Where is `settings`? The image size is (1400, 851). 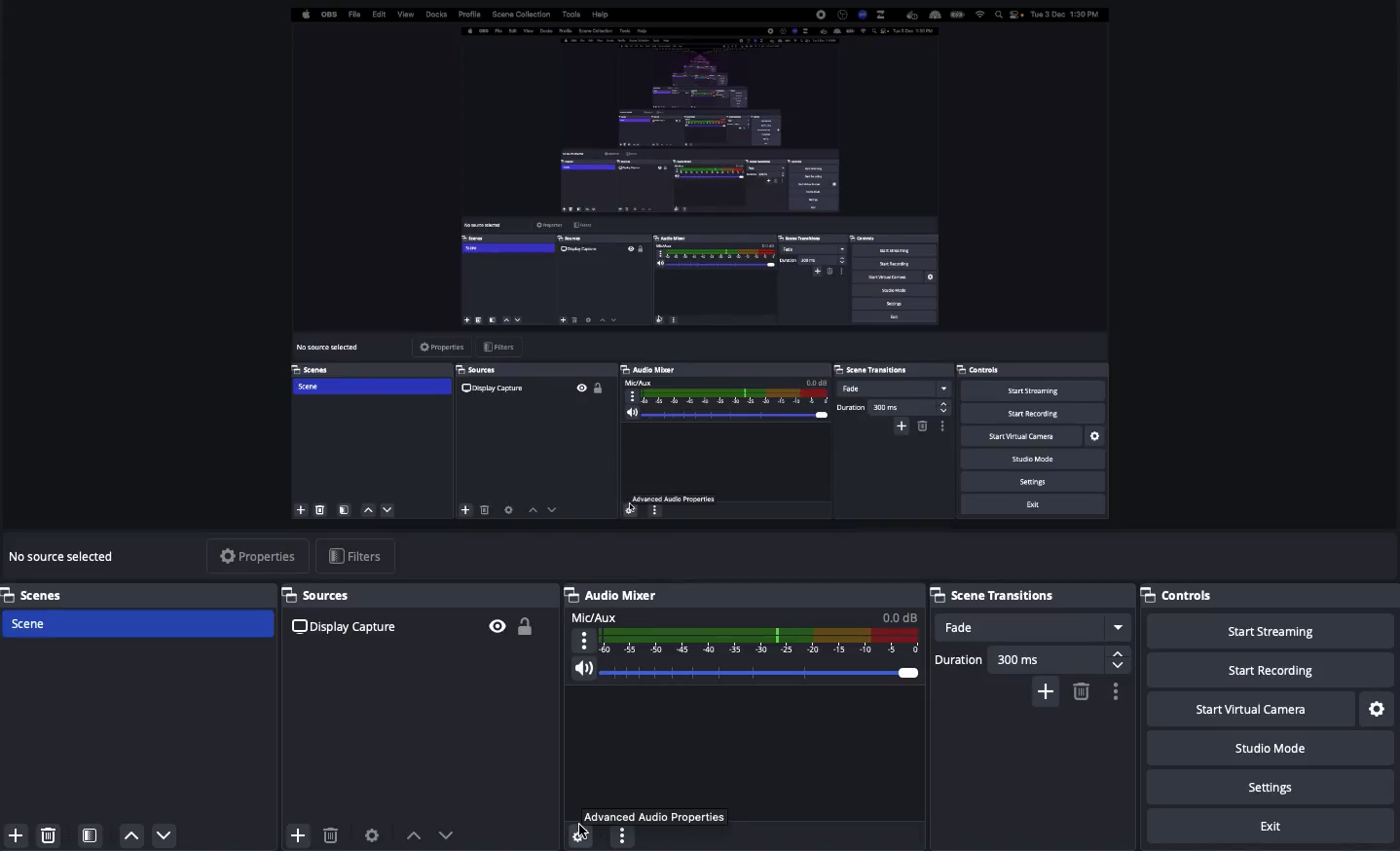
settings is located at coordinates (578, 837).